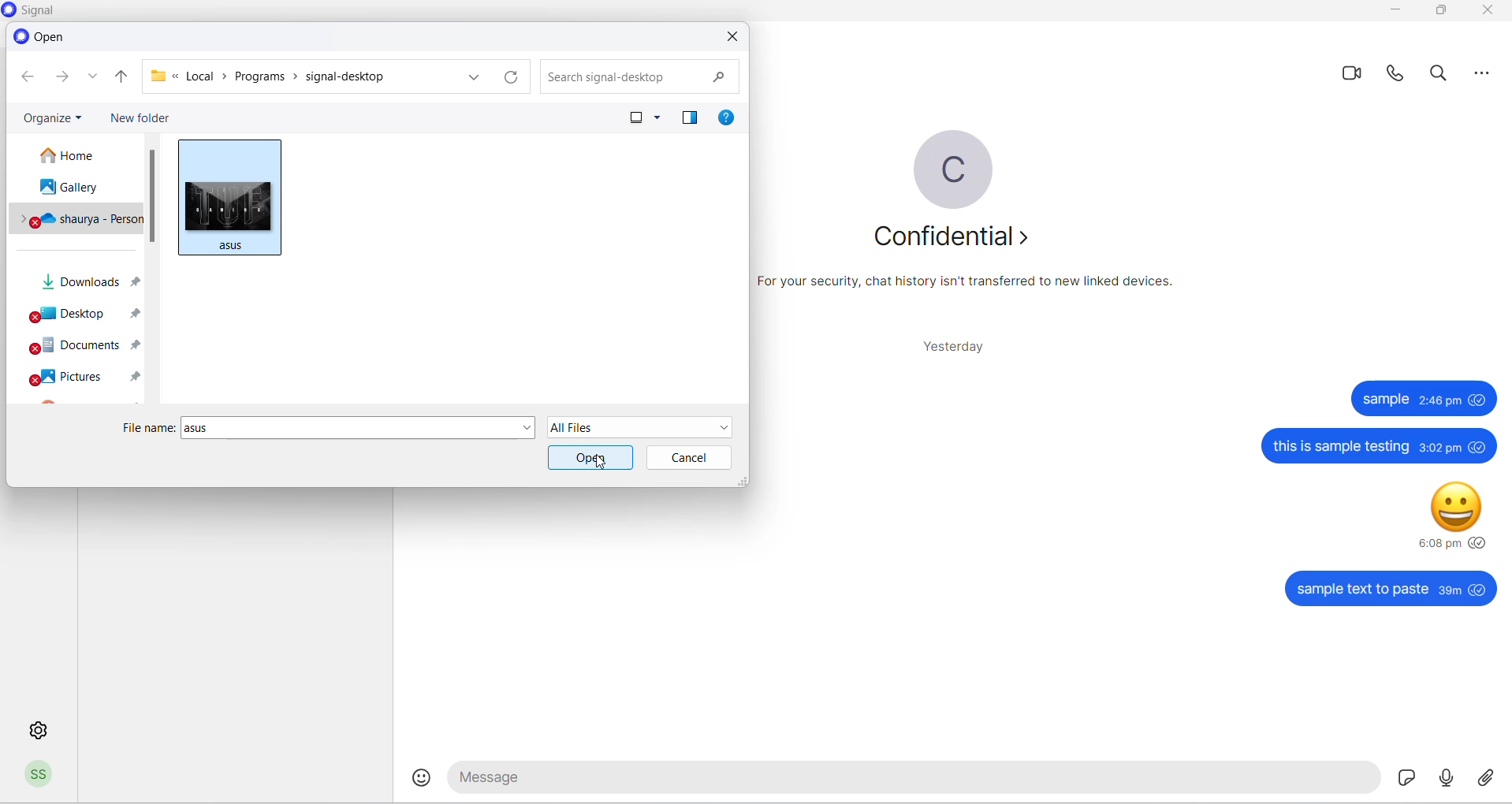  I want to click on formats allowed, so click(643, 426).